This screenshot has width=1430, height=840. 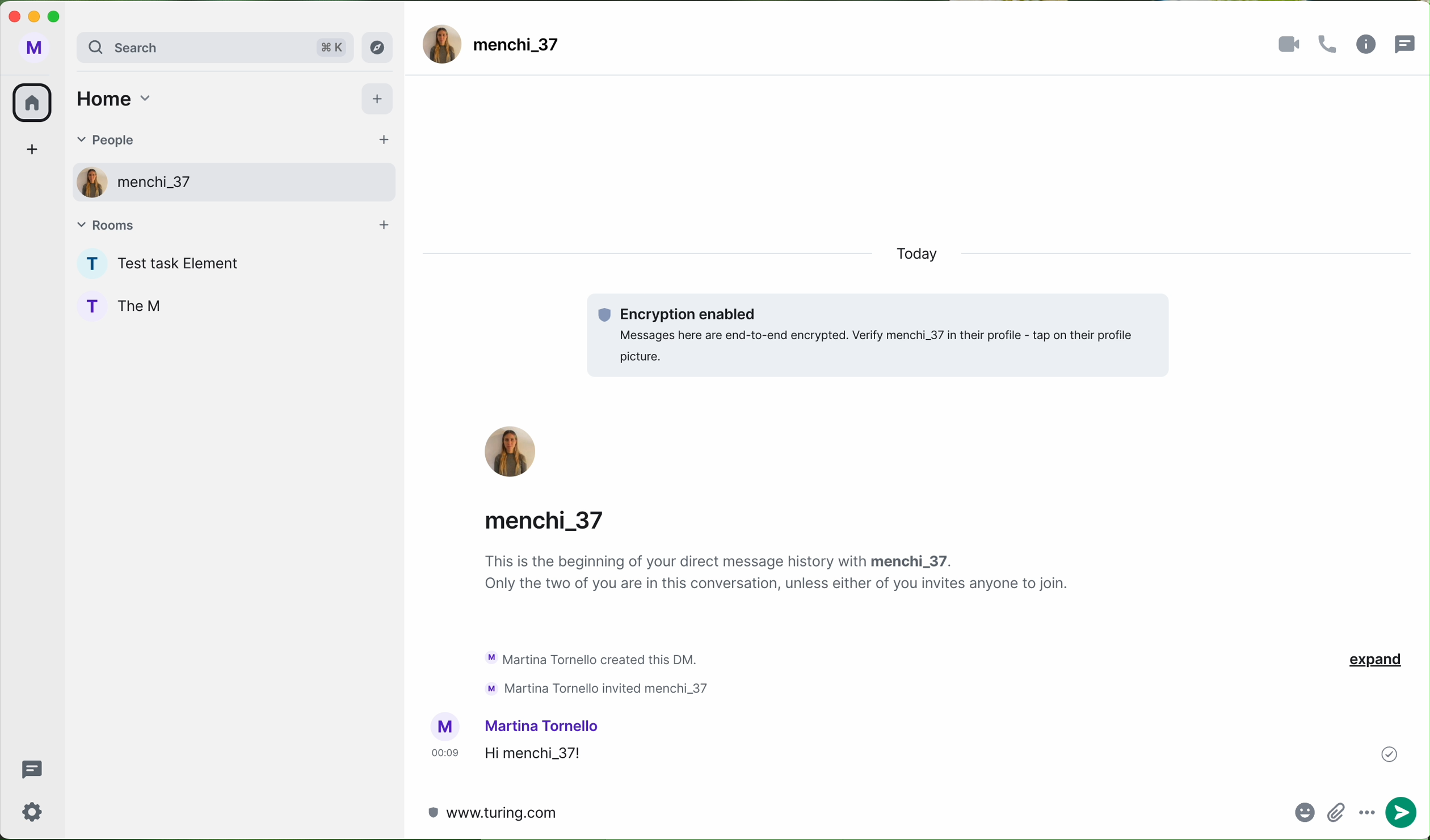 What do you see at coordinates (880, 336) in the screenshot?
I see `encryption enabled` at bounding box center [880, 336].